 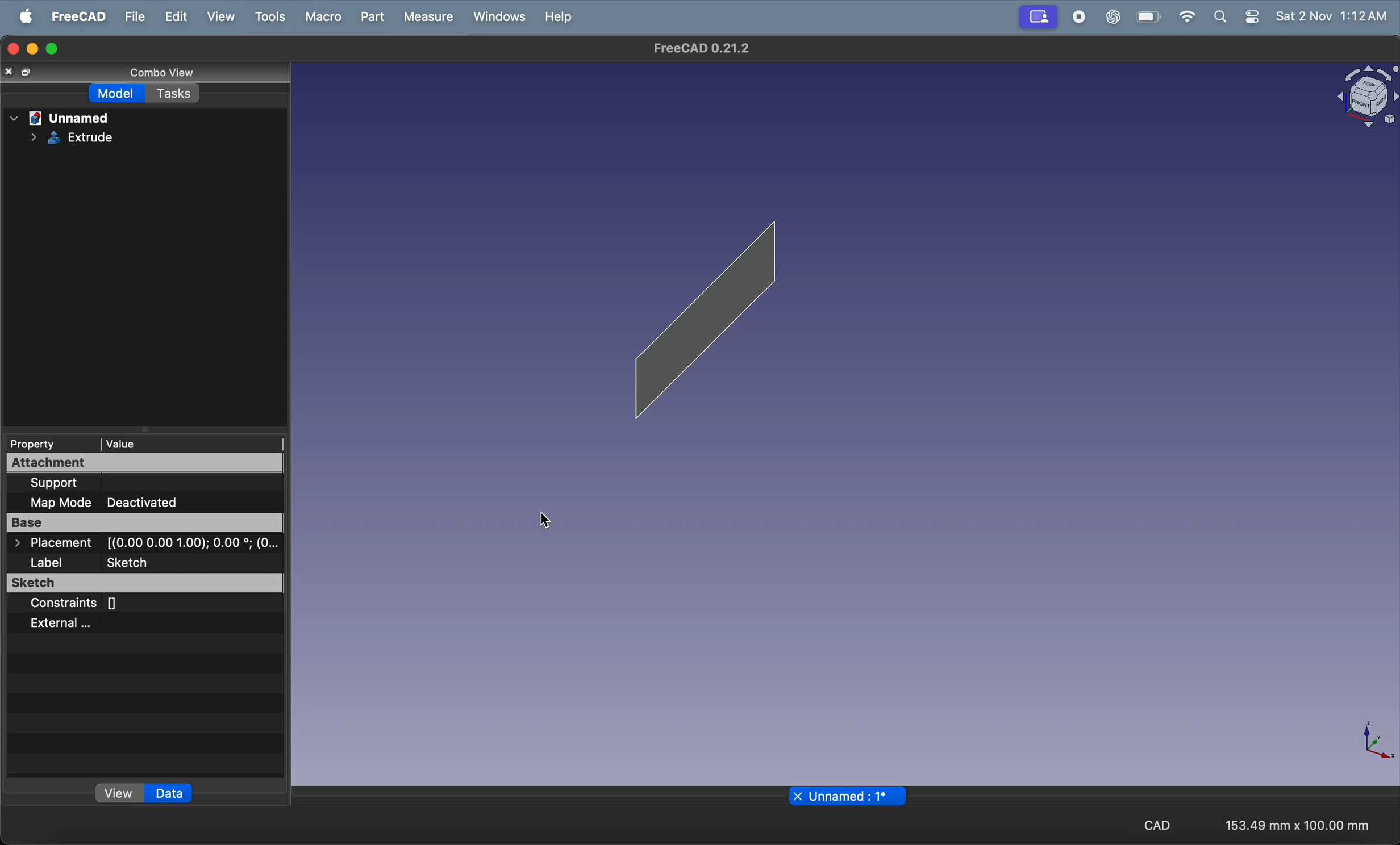 What do you see at coordinates (323, 18) in the screenshot?
I see `marco` at bounding box center [323, 18].